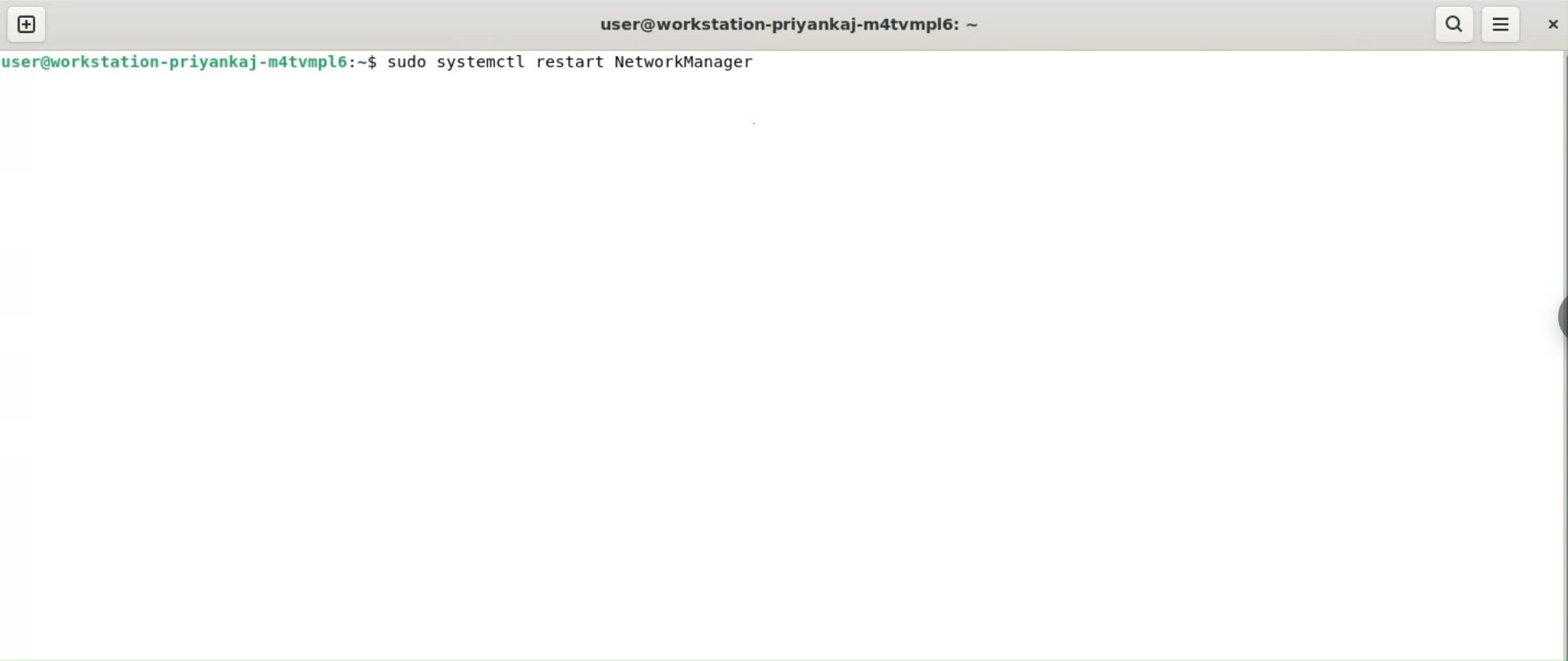  What do you see at coordinates (25, 24) in the screenshot?
I see `new tab` at bounding box center [25, 24].